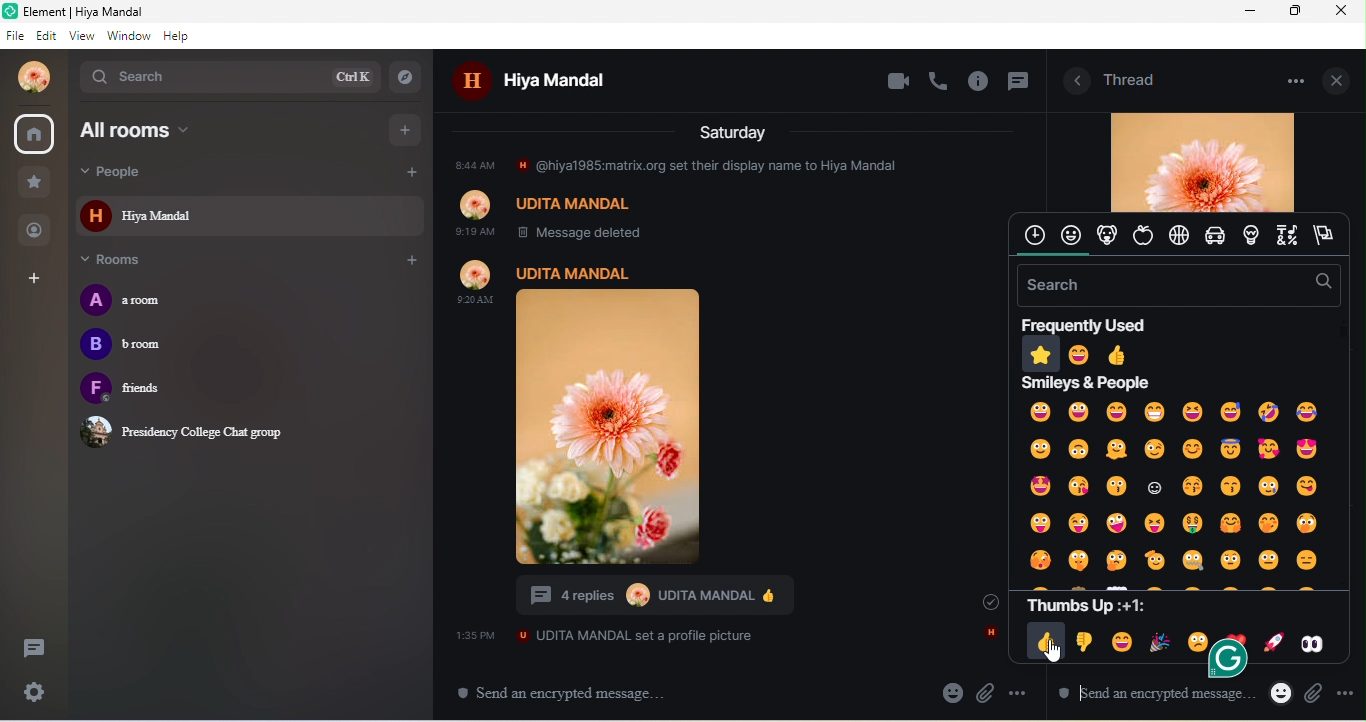 The width and height of the screenshot is (1366, 722). I want to click on add, so click(408, 174).